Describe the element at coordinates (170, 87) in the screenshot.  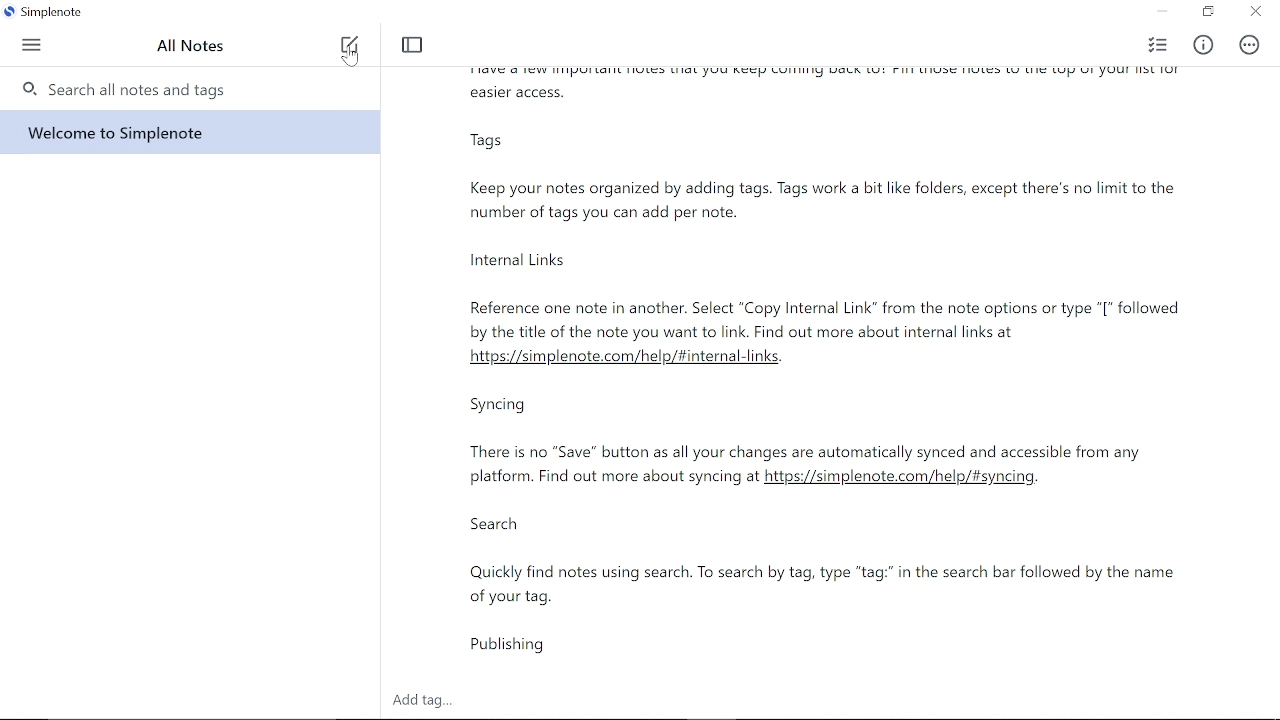
I see `Search all notes and tags` at that location.